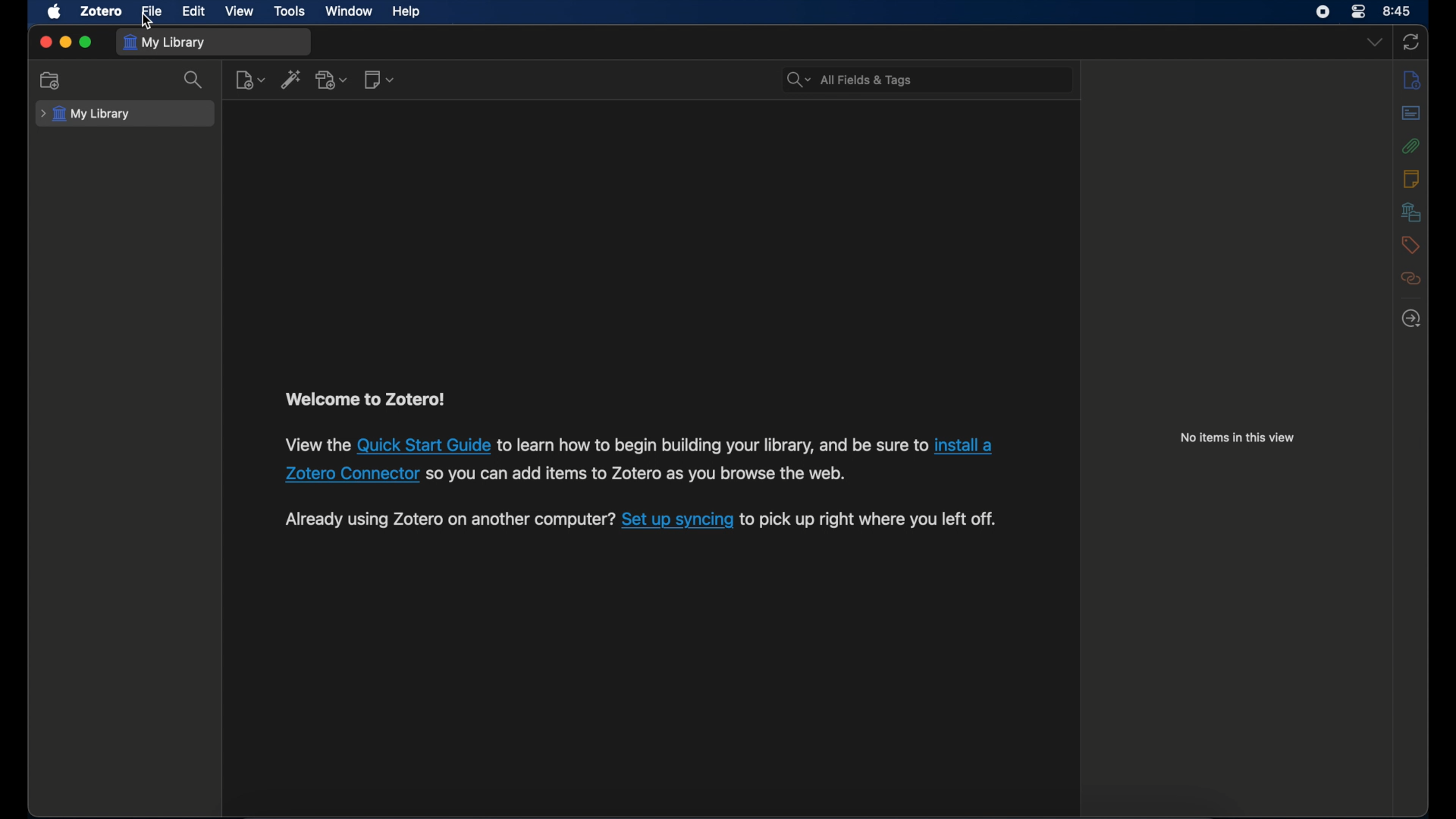  I want to click on software information, so click(873, 520).